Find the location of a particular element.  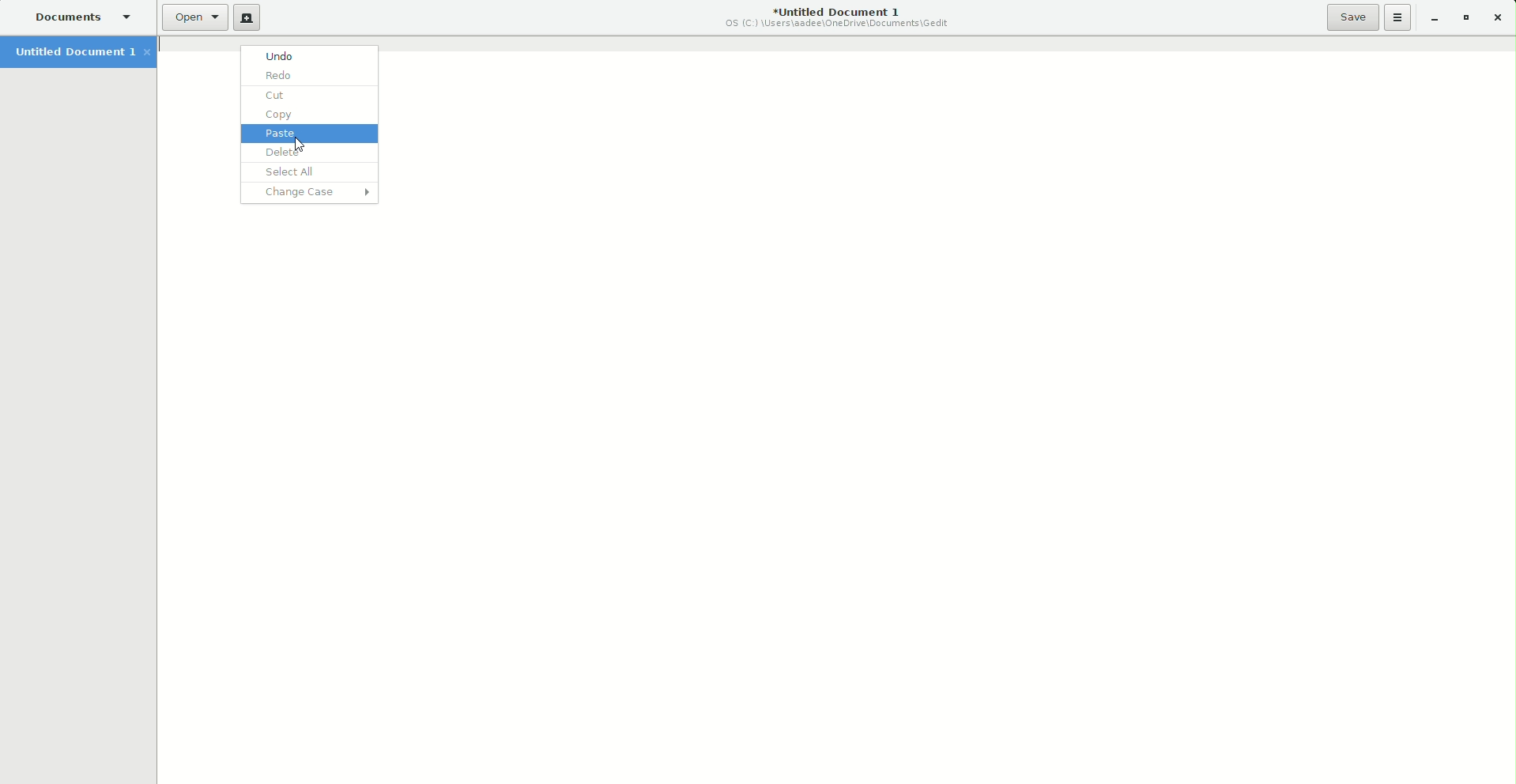

cursor is located at coordinates (295, 144).